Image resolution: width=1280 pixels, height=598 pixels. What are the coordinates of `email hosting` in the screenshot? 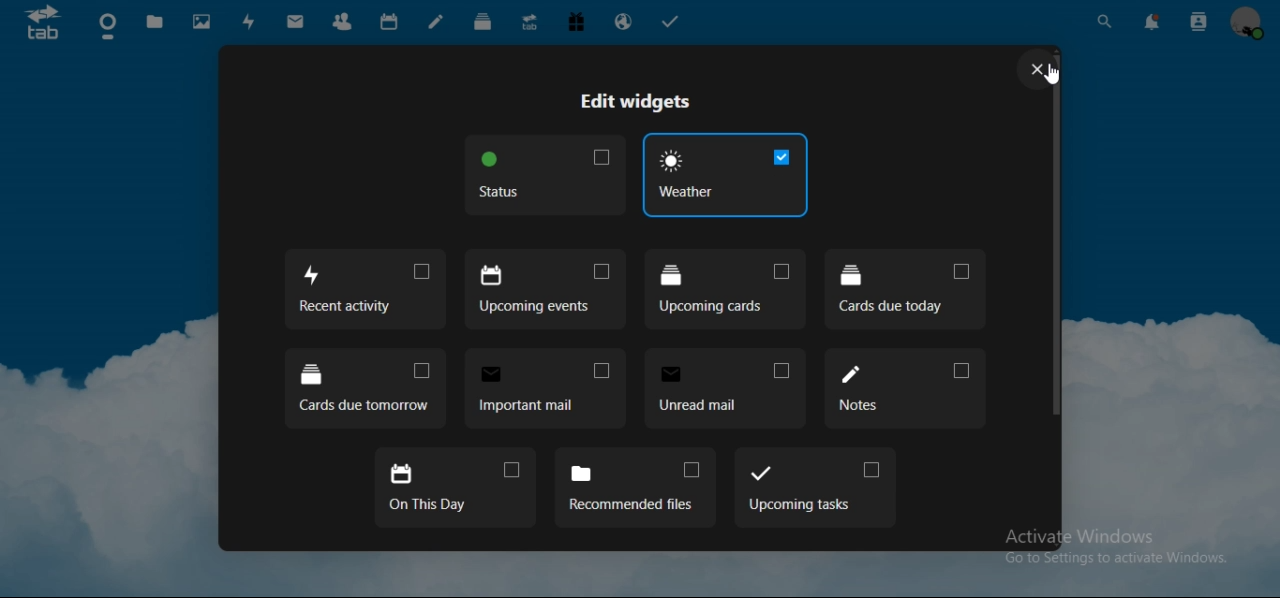 It's located at (623, 22).